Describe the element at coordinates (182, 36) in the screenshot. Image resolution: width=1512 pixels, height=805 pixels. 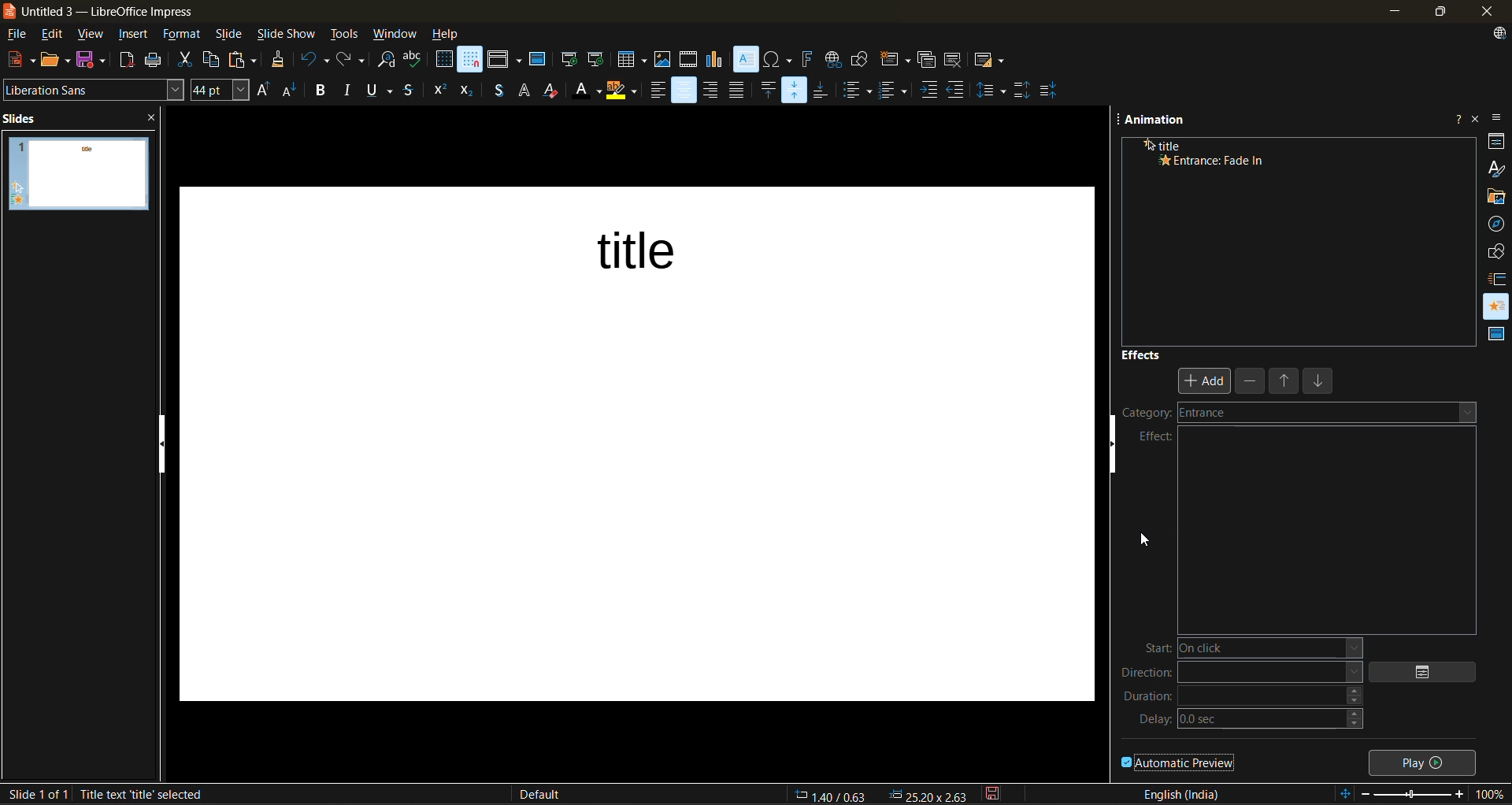
I see `format` at that location.